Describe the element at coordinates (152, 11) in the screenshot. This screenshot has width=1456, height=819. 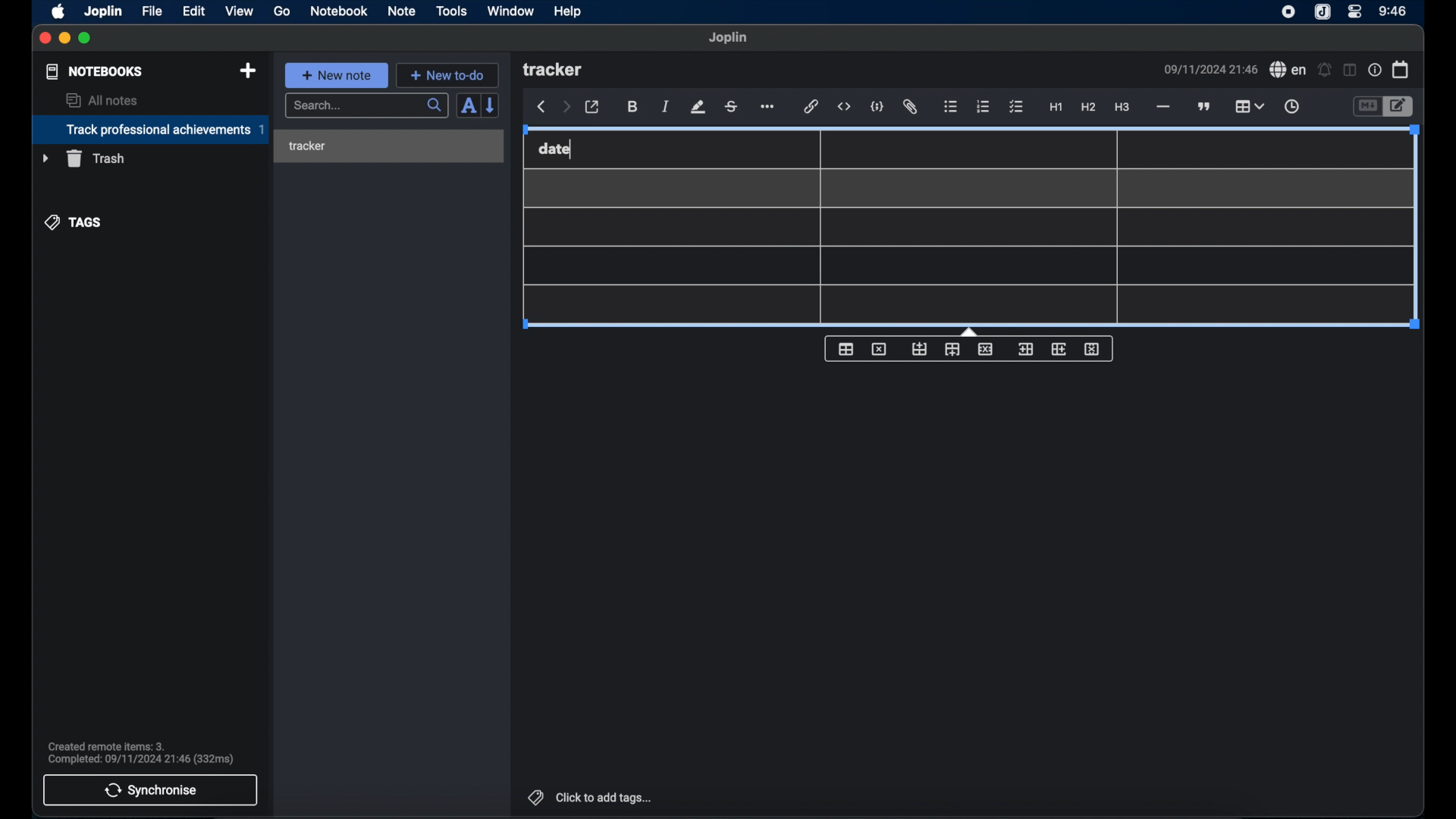
I see `file` at that location.